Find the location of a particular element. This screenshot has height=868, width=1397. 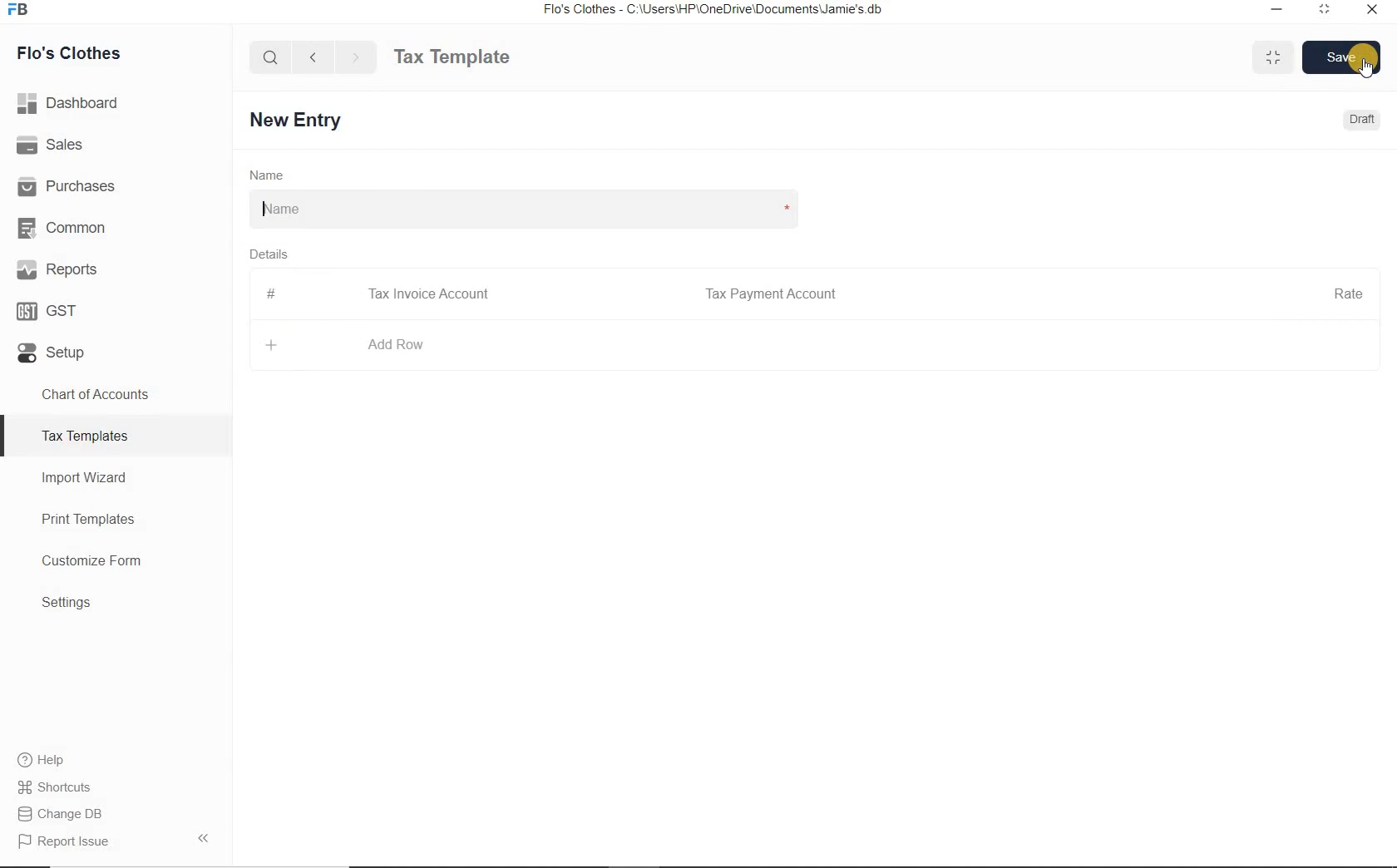

FB Logo is located at coordinates (17, 10).